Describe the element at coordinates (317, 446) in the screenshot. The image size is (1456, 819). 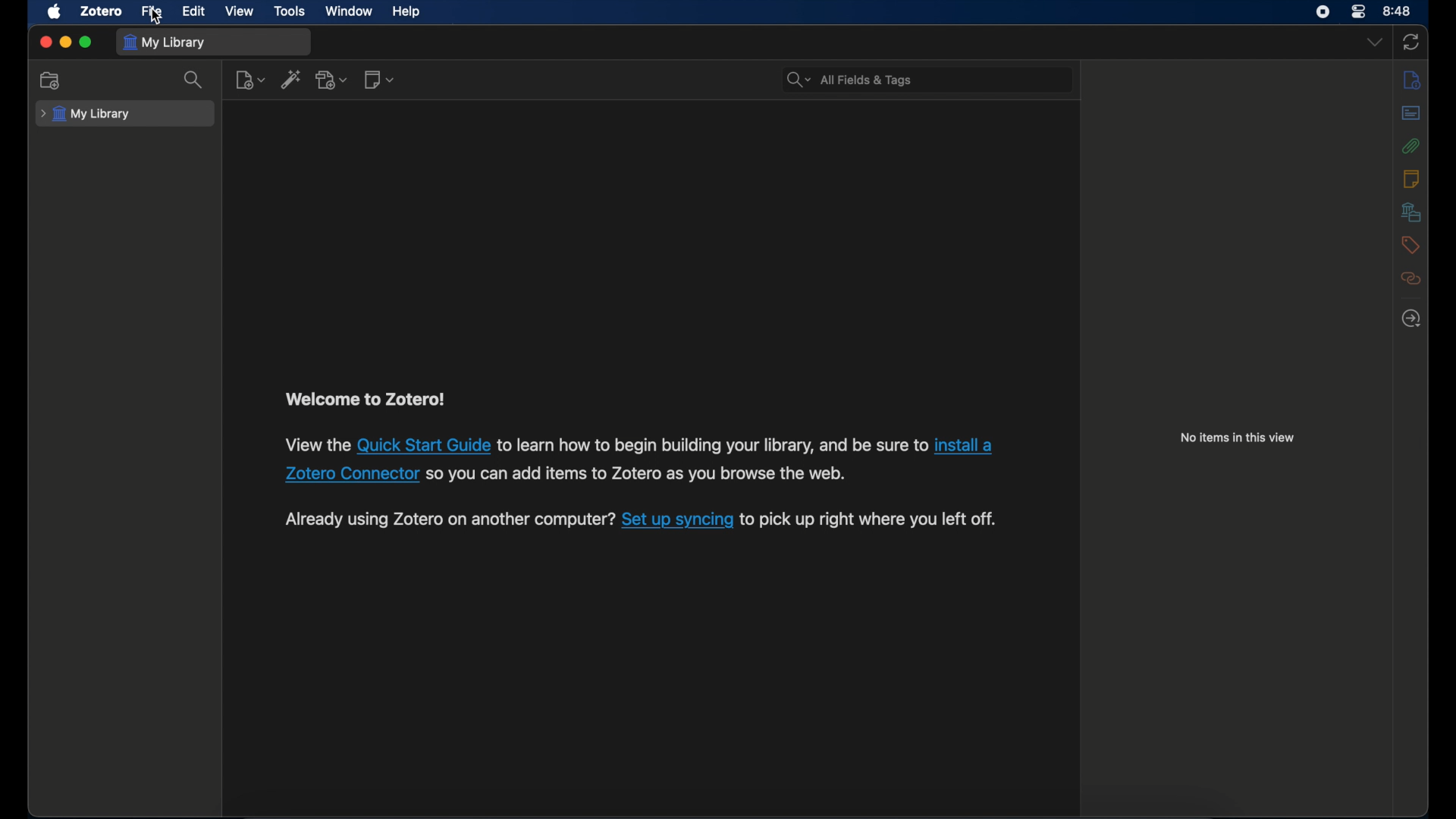
I see `software information` at that location.